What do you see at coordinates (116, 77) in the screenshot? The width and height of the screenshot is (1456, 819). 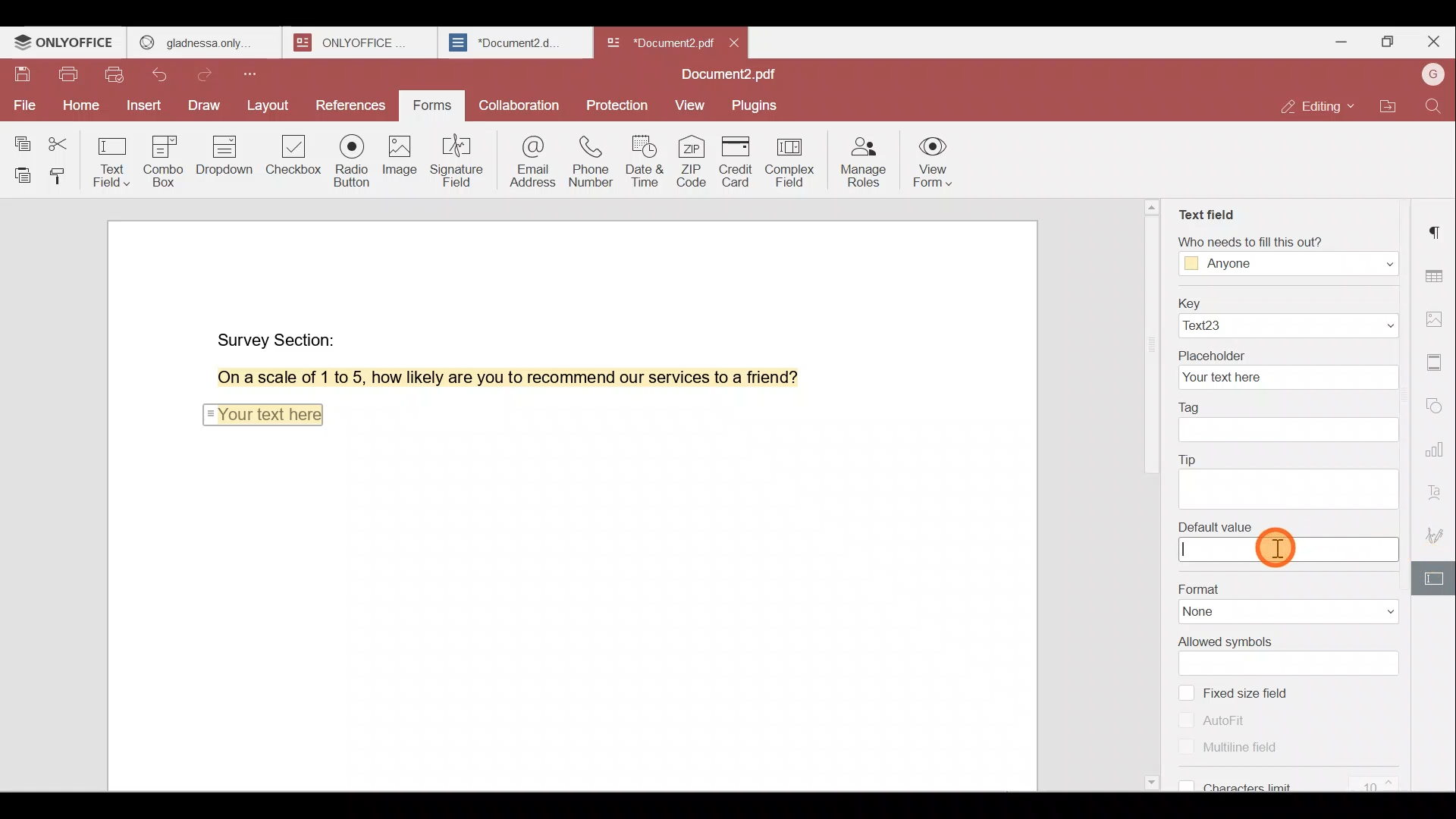 I see `Quick print` at bounding box center [116, 77].